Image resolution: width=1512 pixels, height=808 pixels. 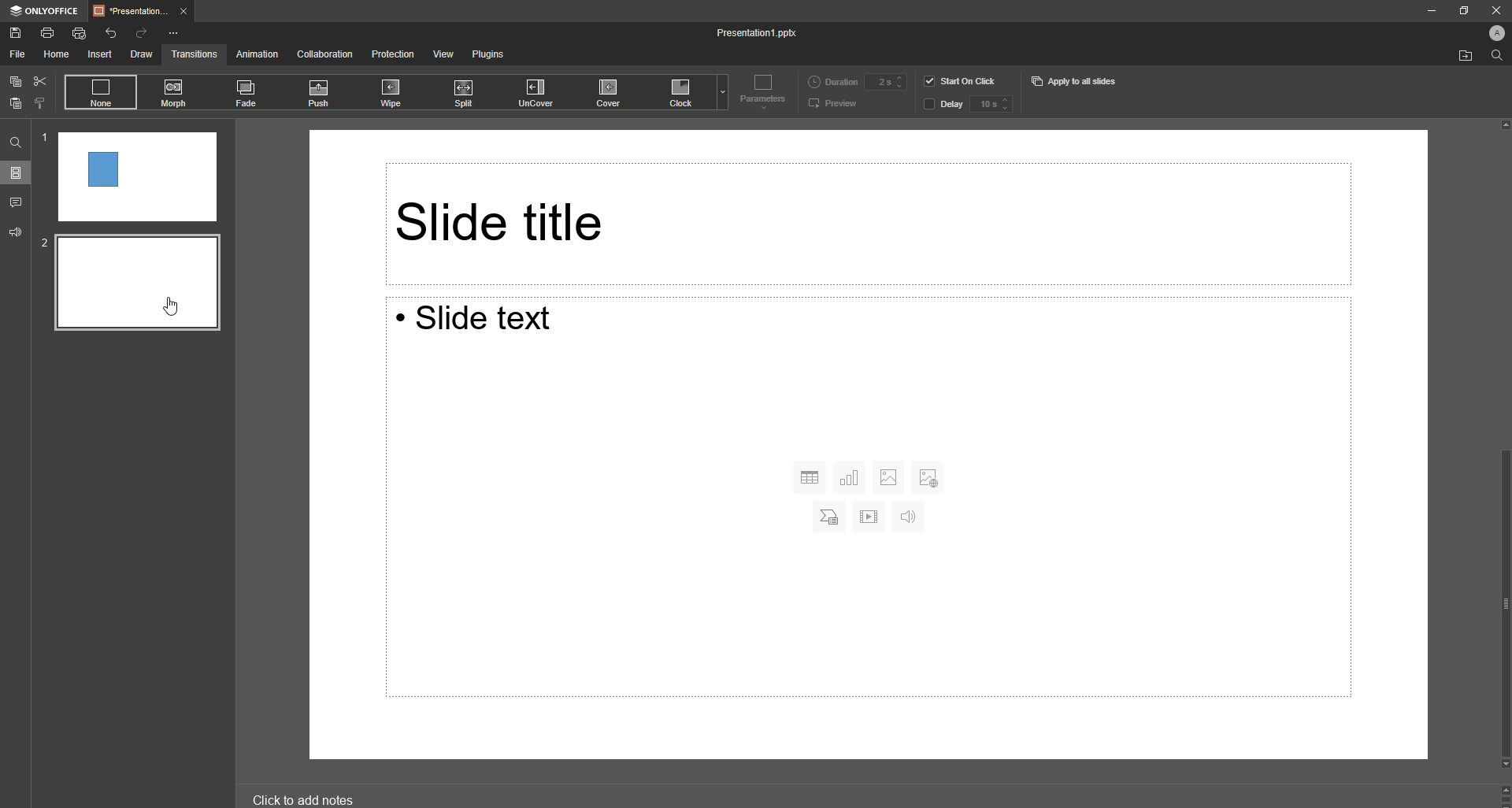 What do you see at coordinates (81, 33) in the screenshot?
I see `Quick Print` at bounding box center [81, 33].